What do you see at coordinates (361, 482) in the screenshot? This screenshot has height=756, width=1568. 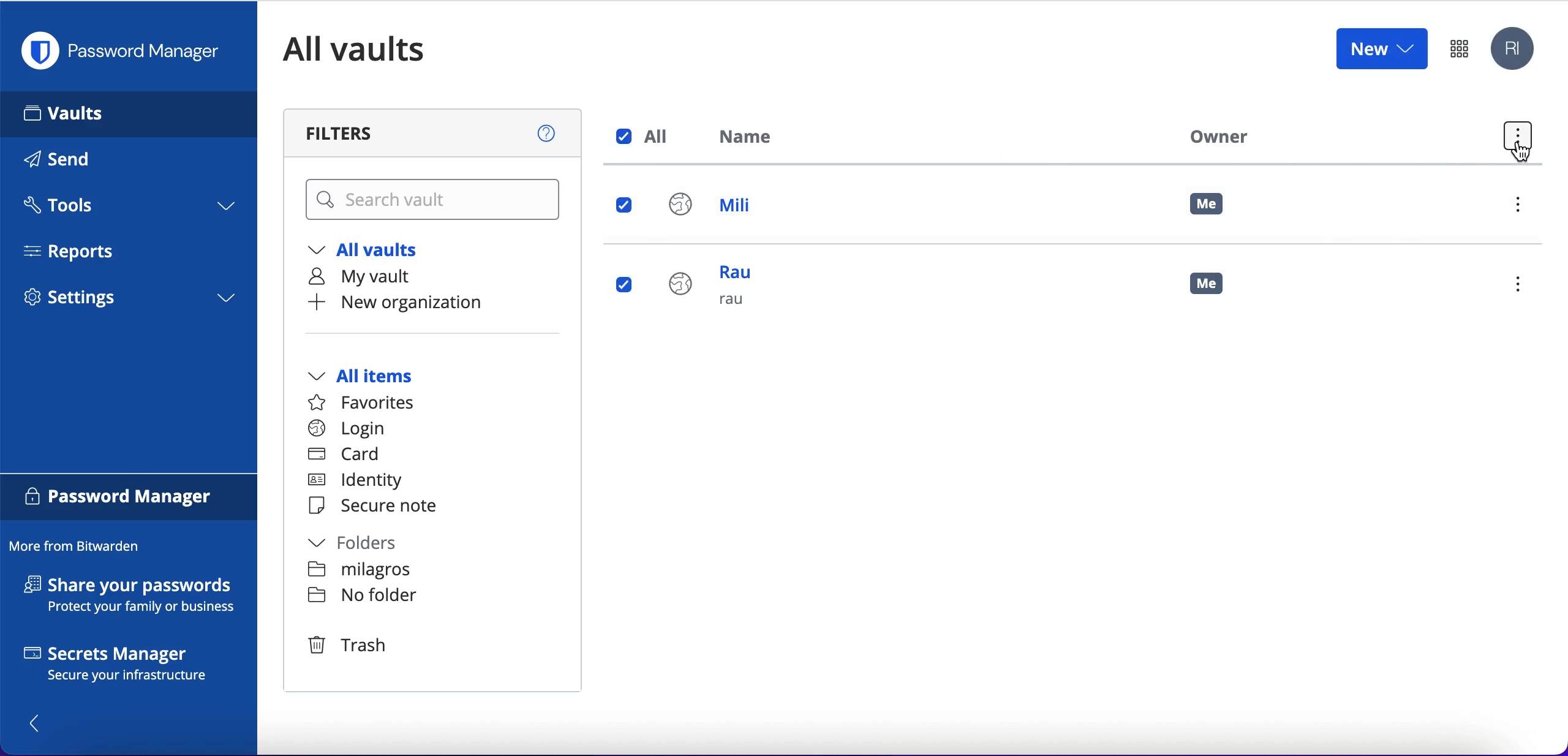 I see `identity` at bounding box center [361, 482].